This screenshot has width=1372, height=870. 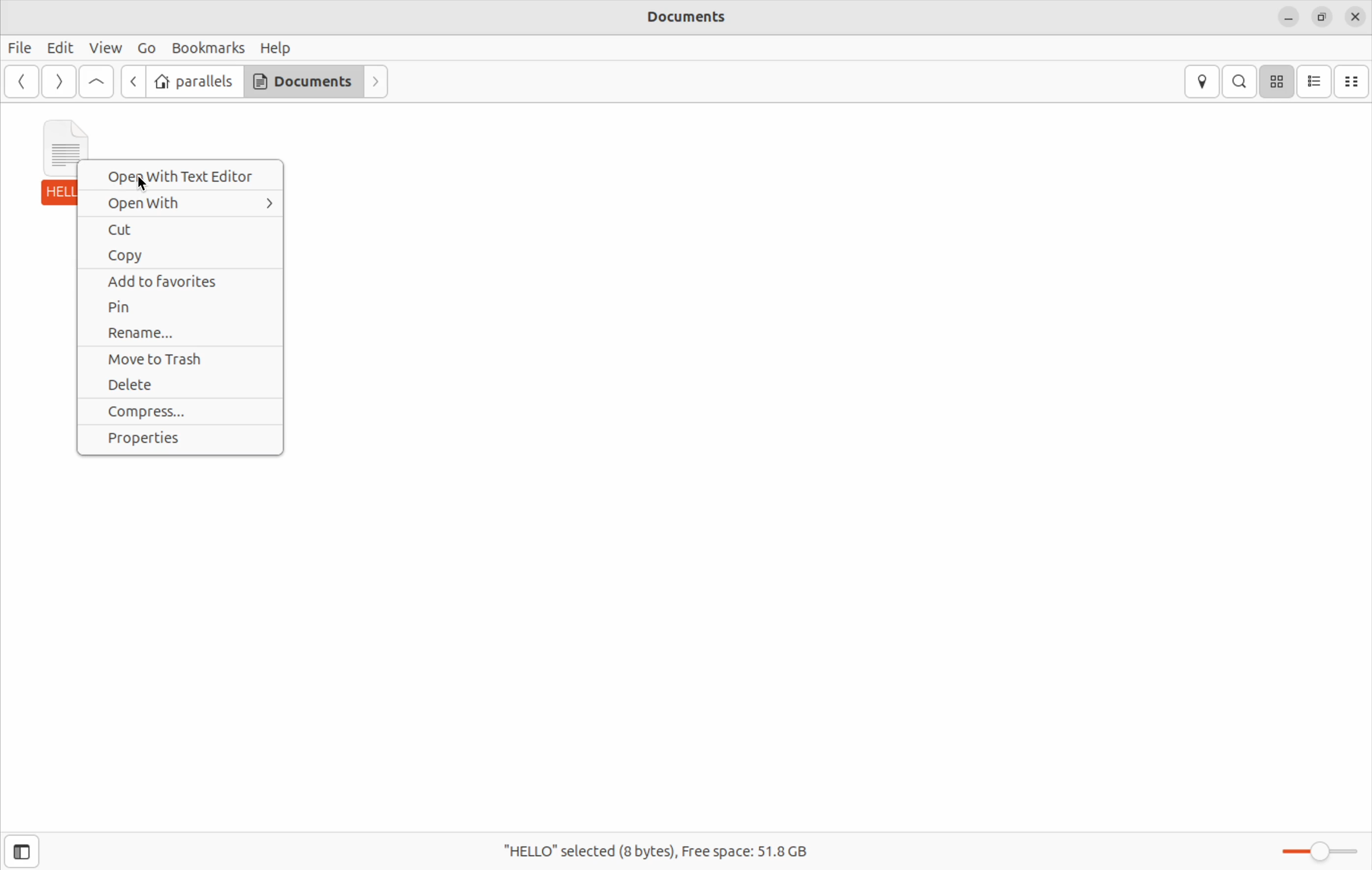 What do you see at coordinates (184, 307) in the screenshot?
I see `Pin ` at bounding box center [184, 307].